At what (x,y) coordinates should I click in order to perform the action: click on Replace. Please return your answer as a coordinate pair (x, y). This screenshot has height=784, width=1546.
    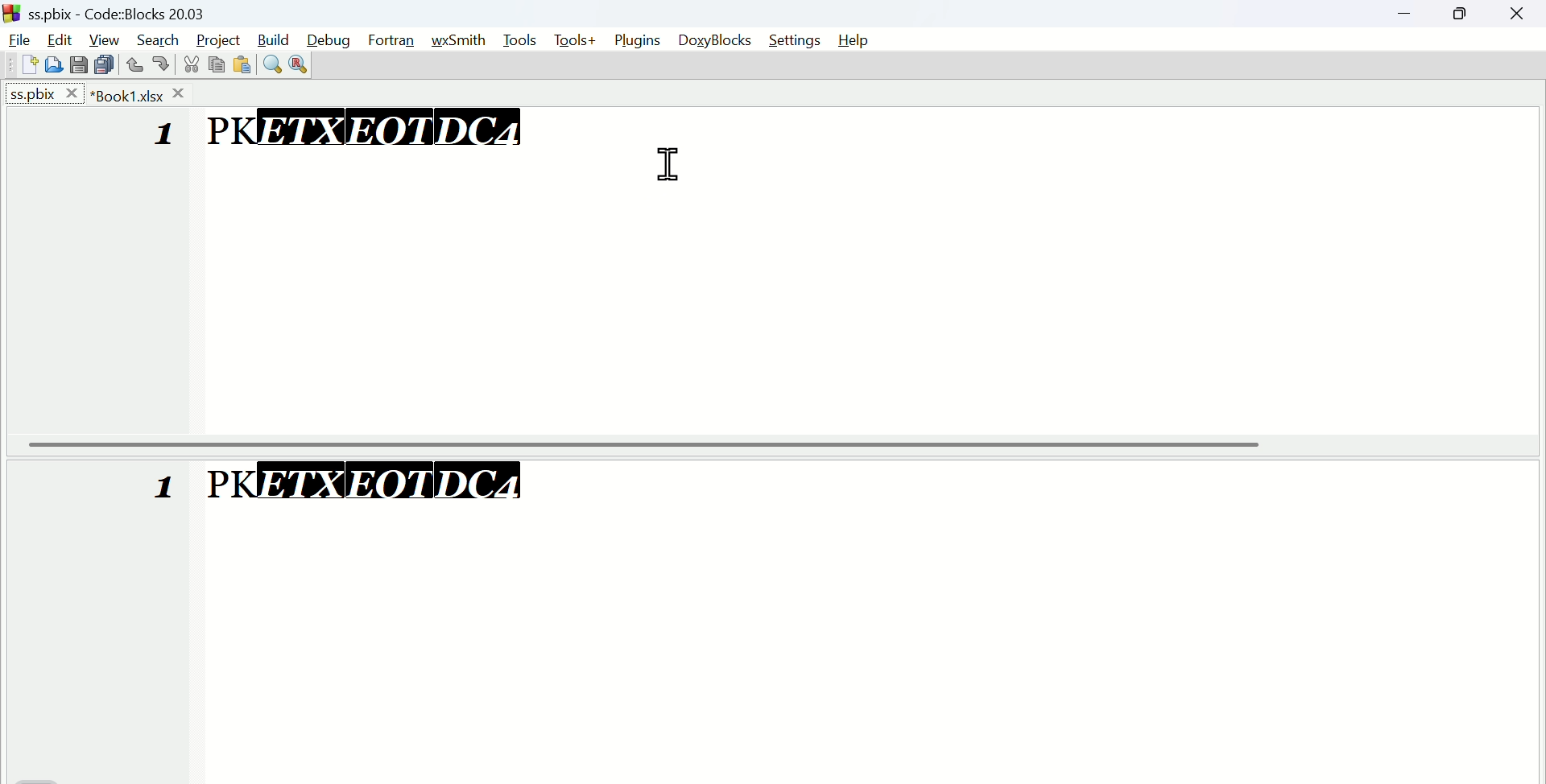
    Looking at the image, I should click on (299, 65).